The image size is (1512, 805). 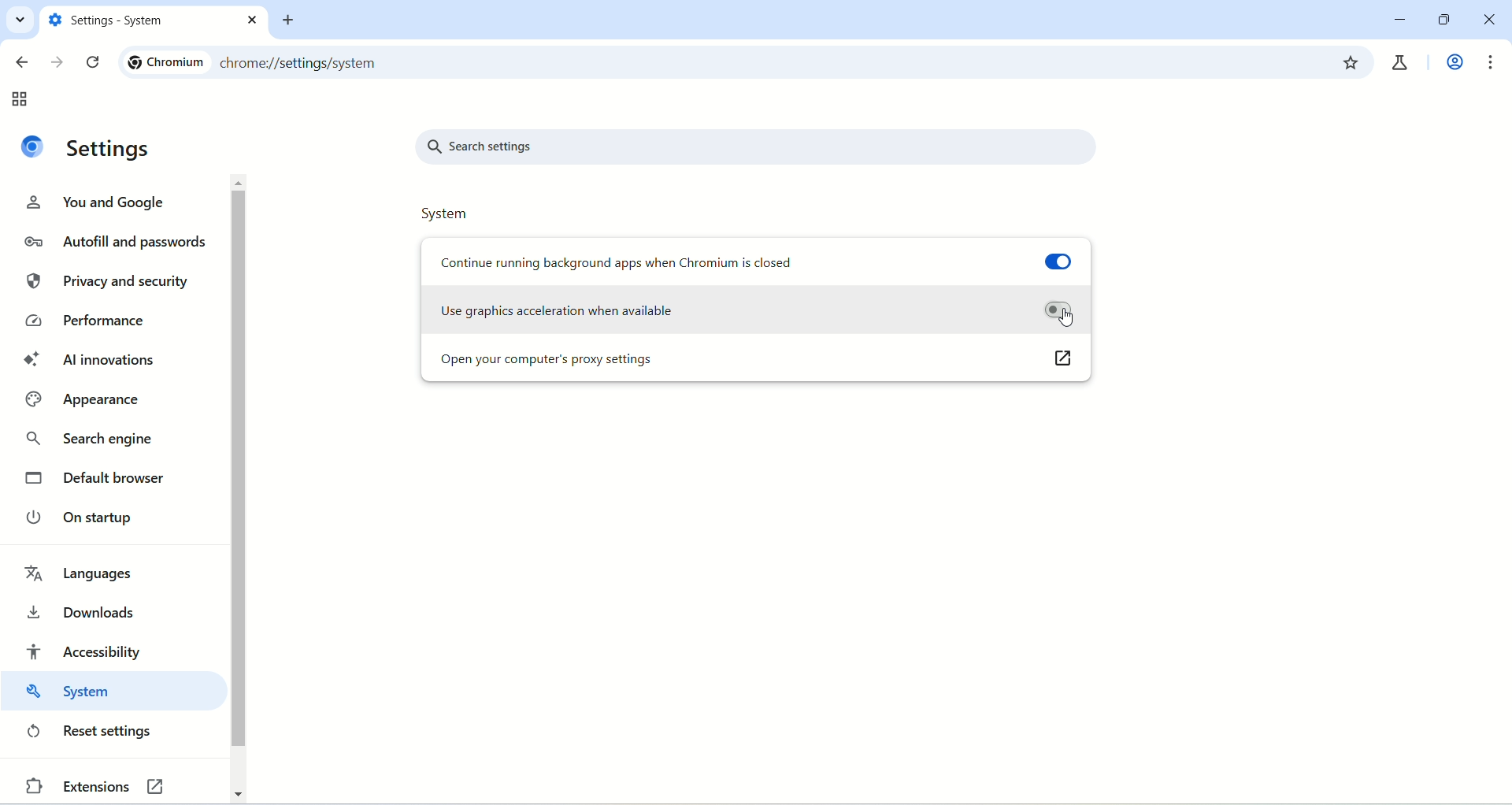 I want to click on go back, so click(x=20, y=64).